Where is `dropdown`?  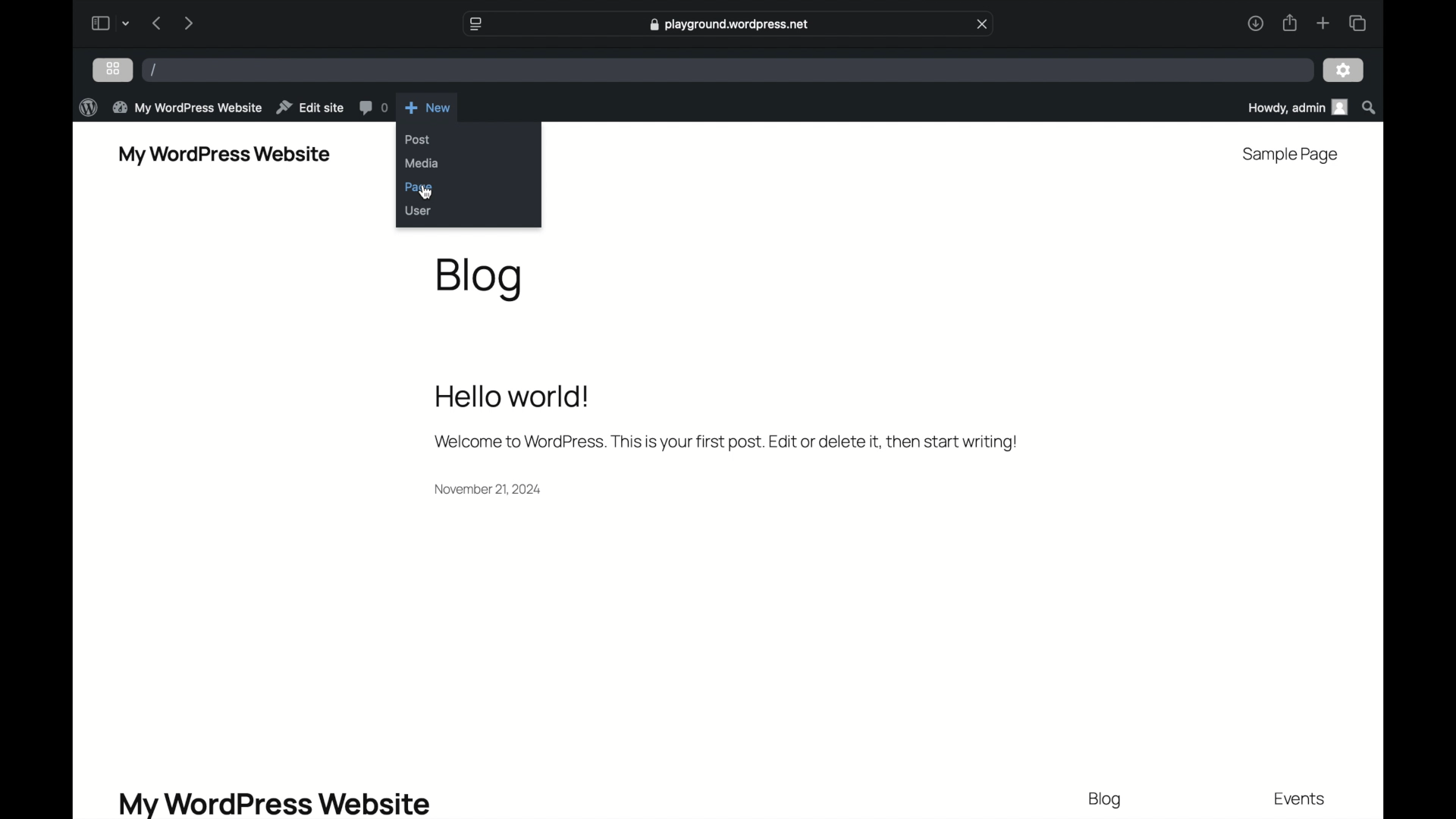 dropdown is located at coordinates (127, 24).